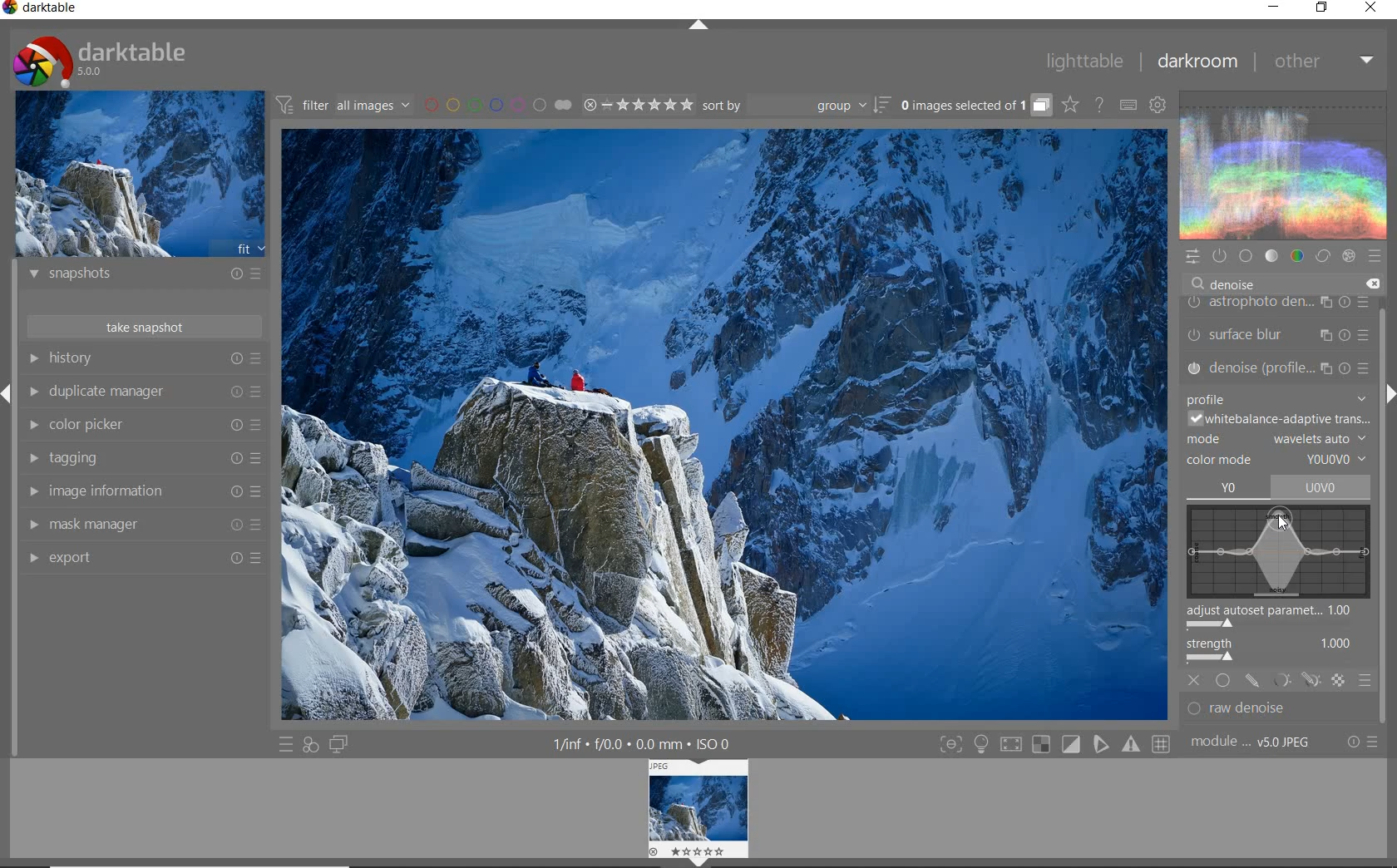 The image size is (1397, 868). Describe the element at coordinates (1365, 742) in the screenshot. I see `reset or presets and preferences` at that location.